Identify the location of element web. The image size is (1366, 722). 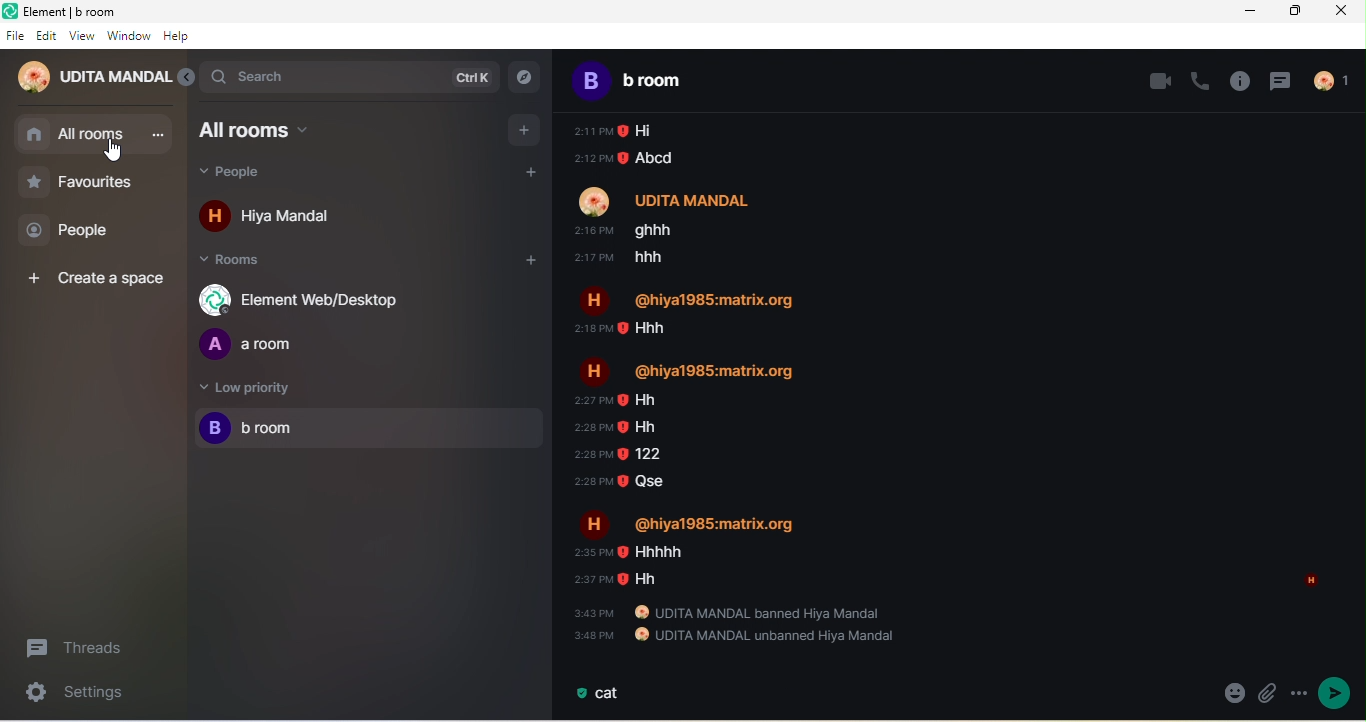
(308, 299).